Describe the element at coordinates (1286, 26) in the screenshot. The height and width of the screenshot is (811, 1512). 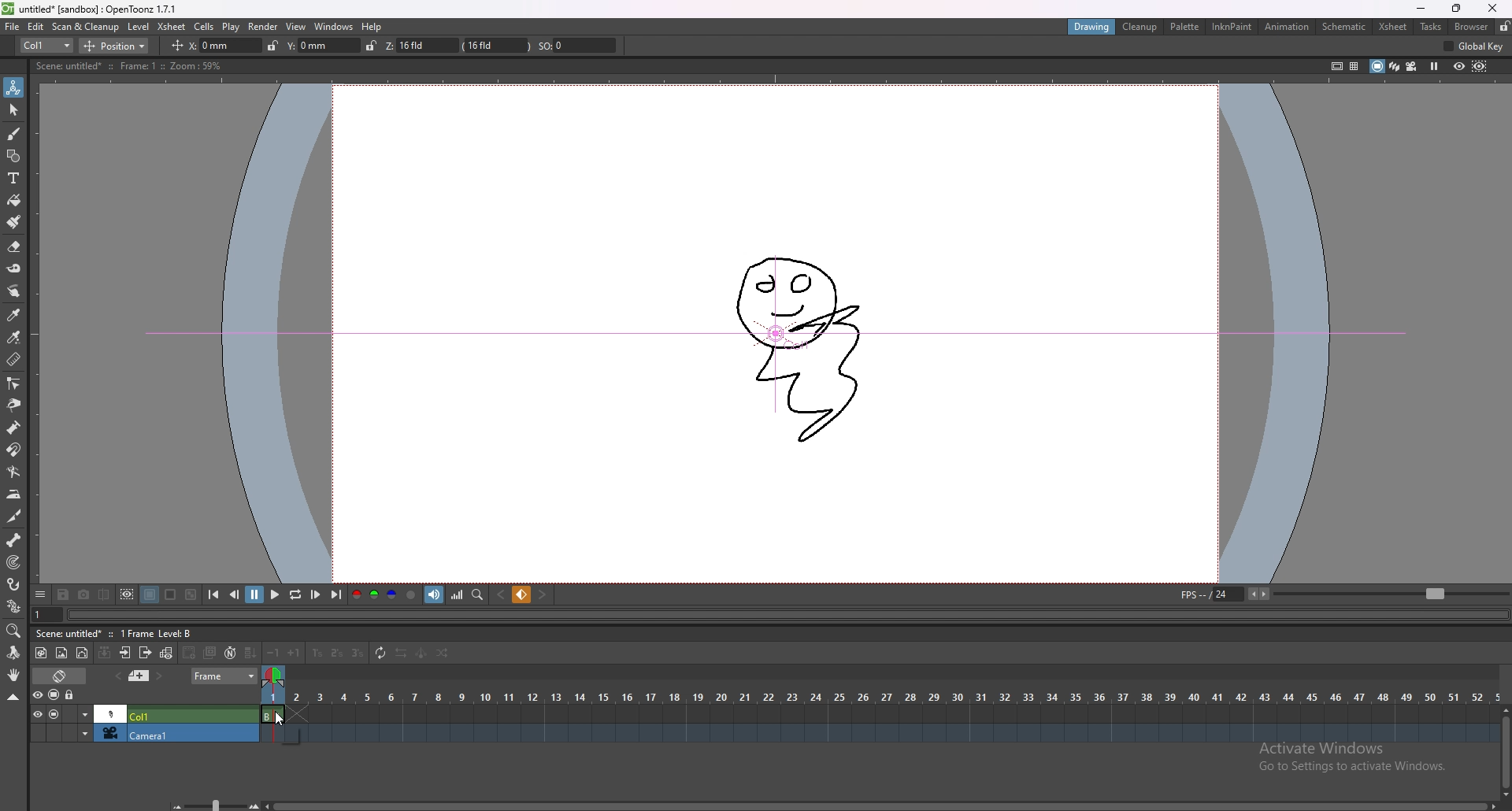
I see `animation` at that location.